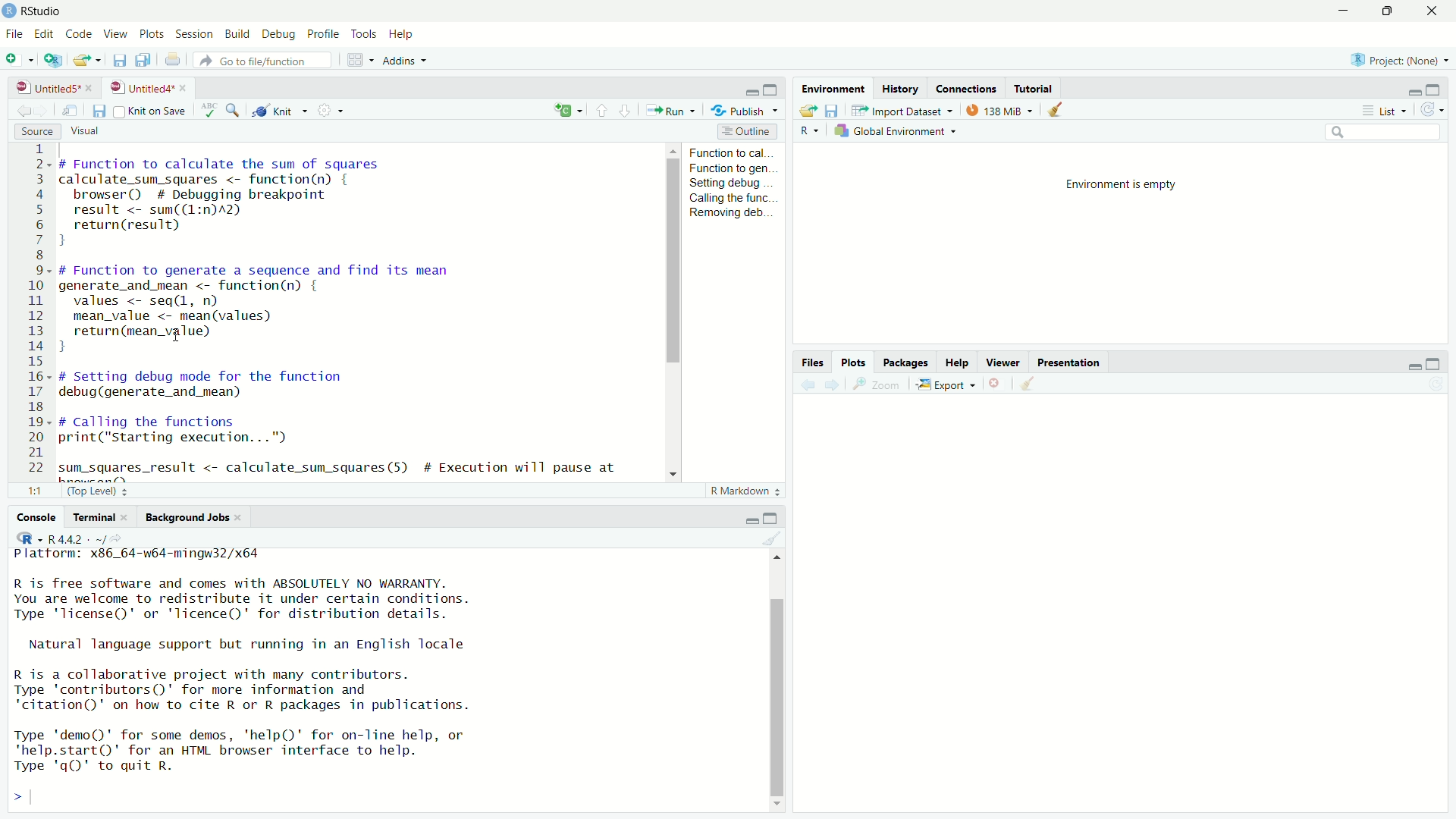 The image size is (1456, 819). I want to click on go to previous section/chunk, so click(599, 109).